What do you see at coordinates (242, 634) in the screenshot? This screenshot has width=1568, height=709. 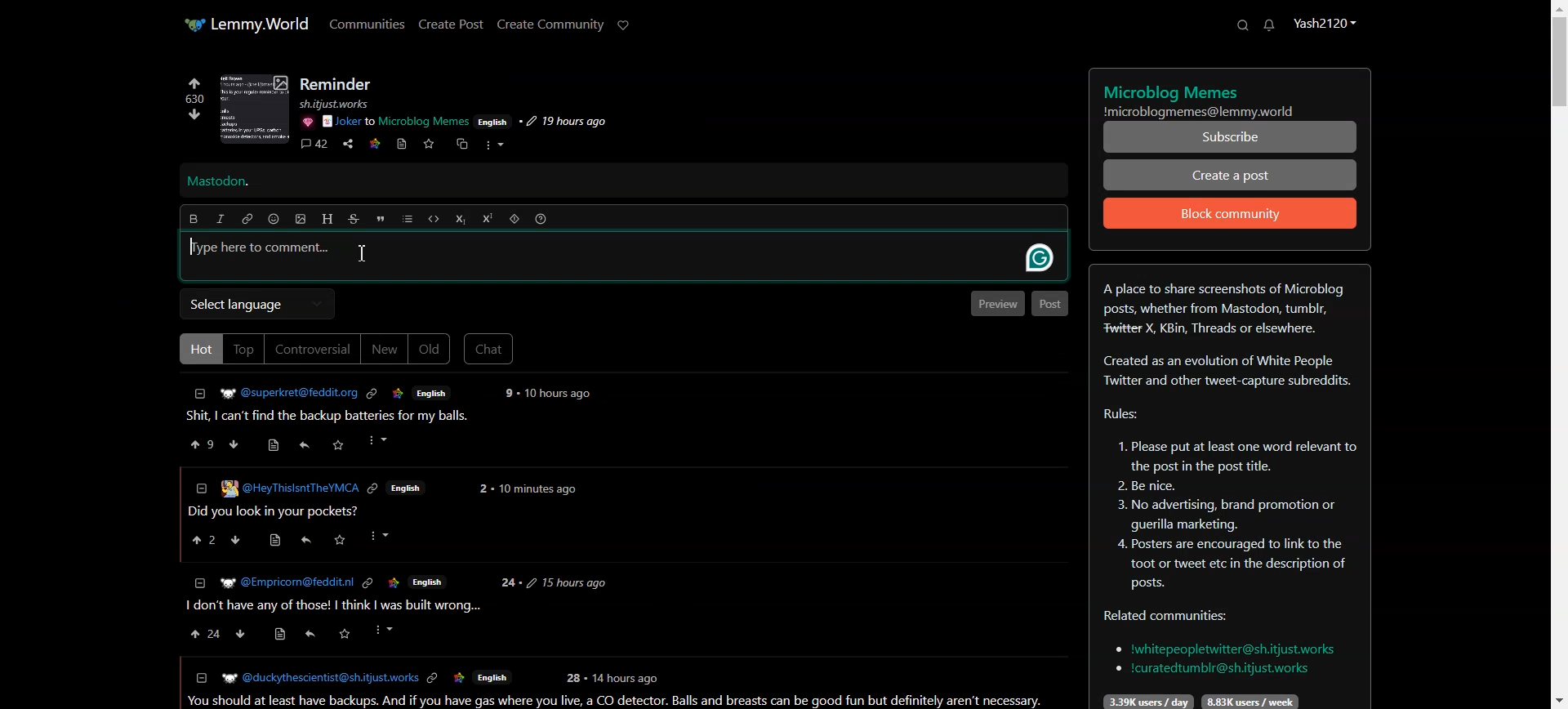 I see `` at bounding box center [242, 634].